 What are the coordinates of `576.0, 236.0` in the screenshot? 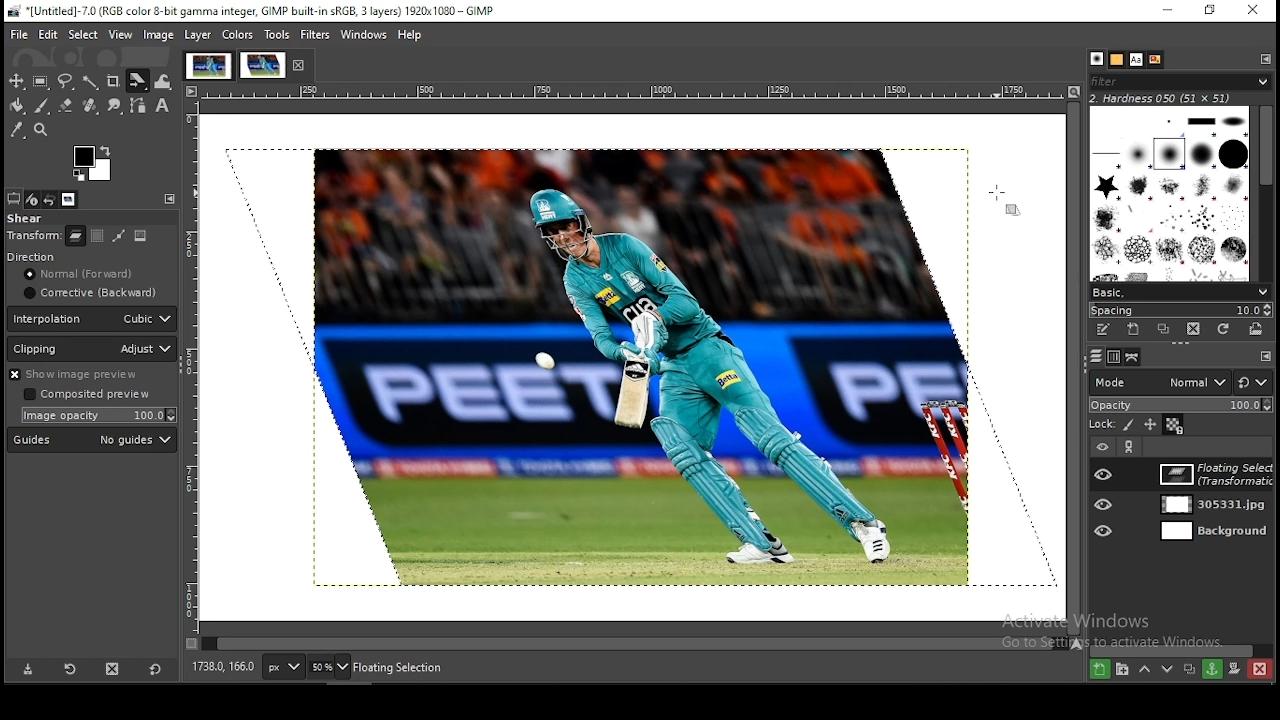 It's located at (223, 666).